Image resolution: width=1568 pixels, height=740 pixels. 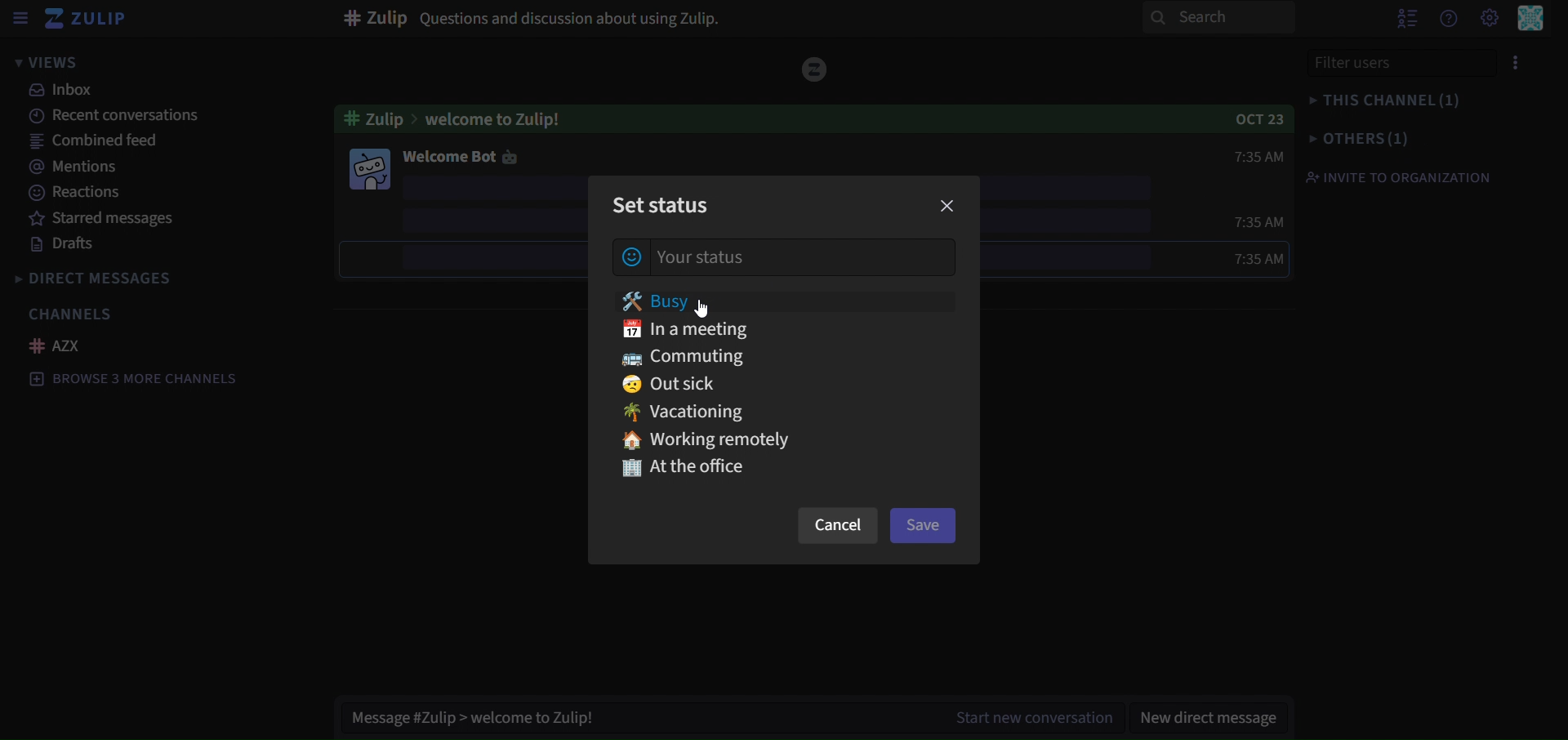 I want to click on inbox, so click(x=65, y=91).